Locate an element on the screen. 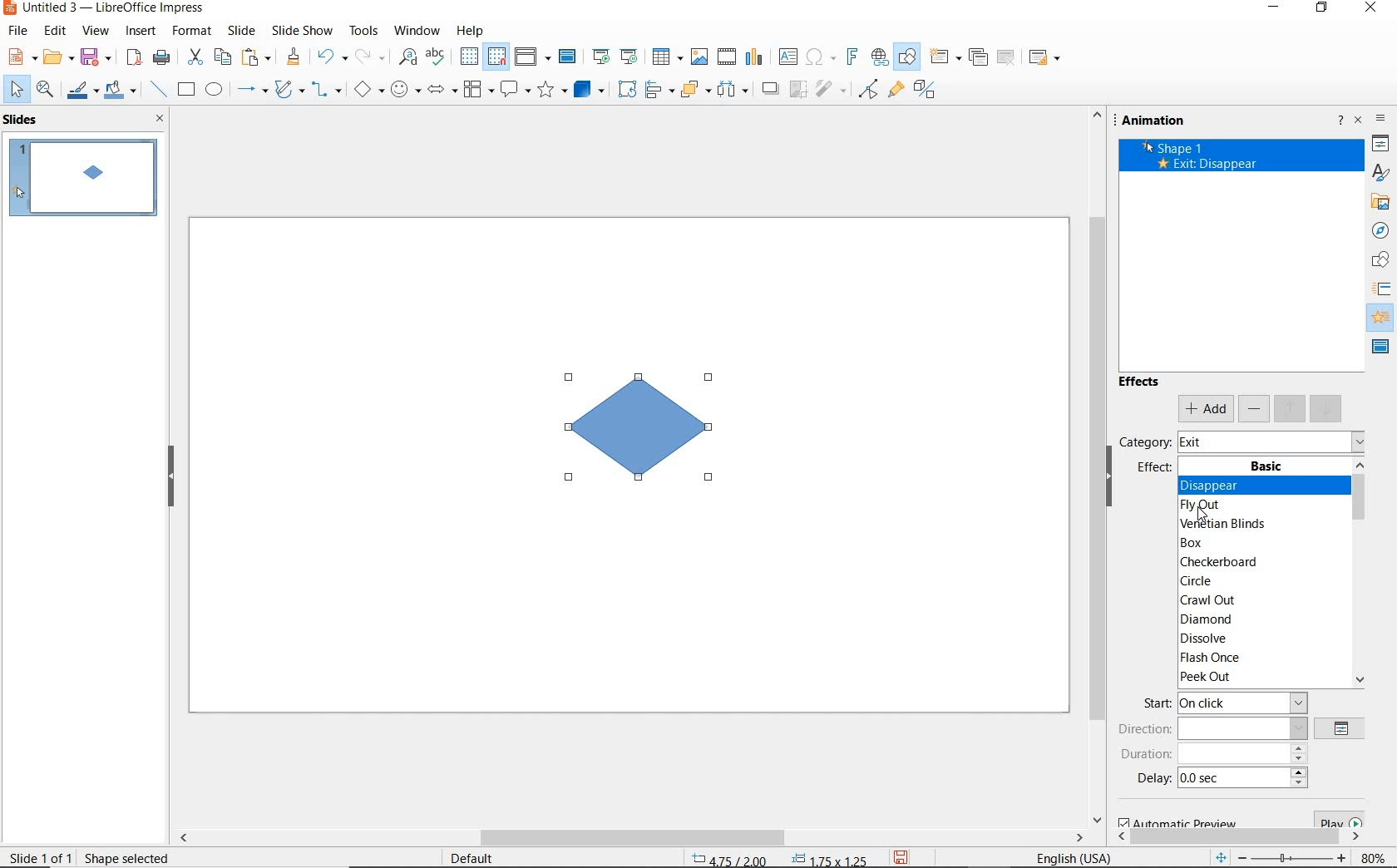 The width and height of the screenshot is (1397, 868). rectangle is located at coordinates (187, 89).